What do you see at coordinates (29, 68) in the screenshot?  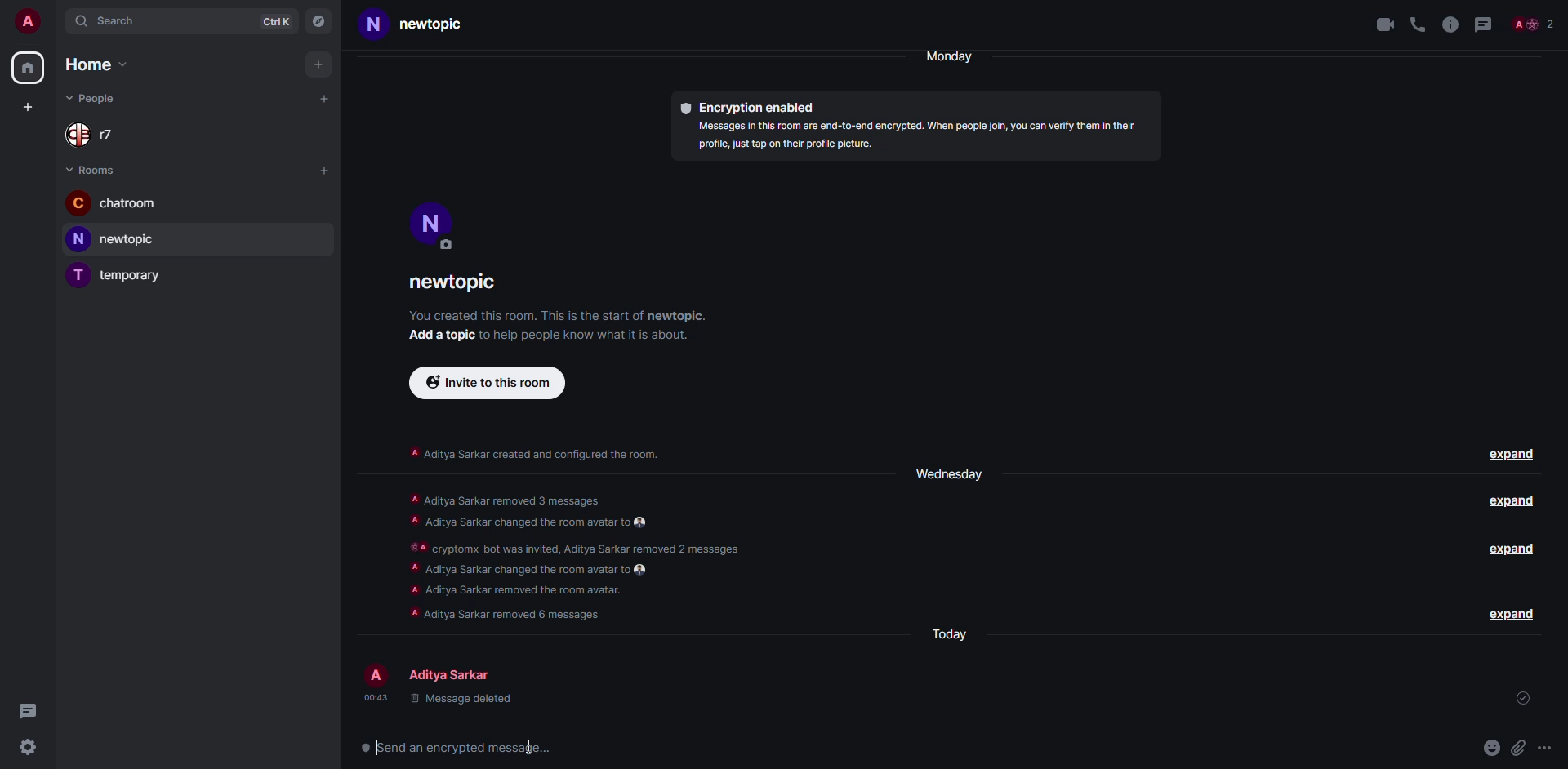 I see `home` at bounding box center [29, 68].